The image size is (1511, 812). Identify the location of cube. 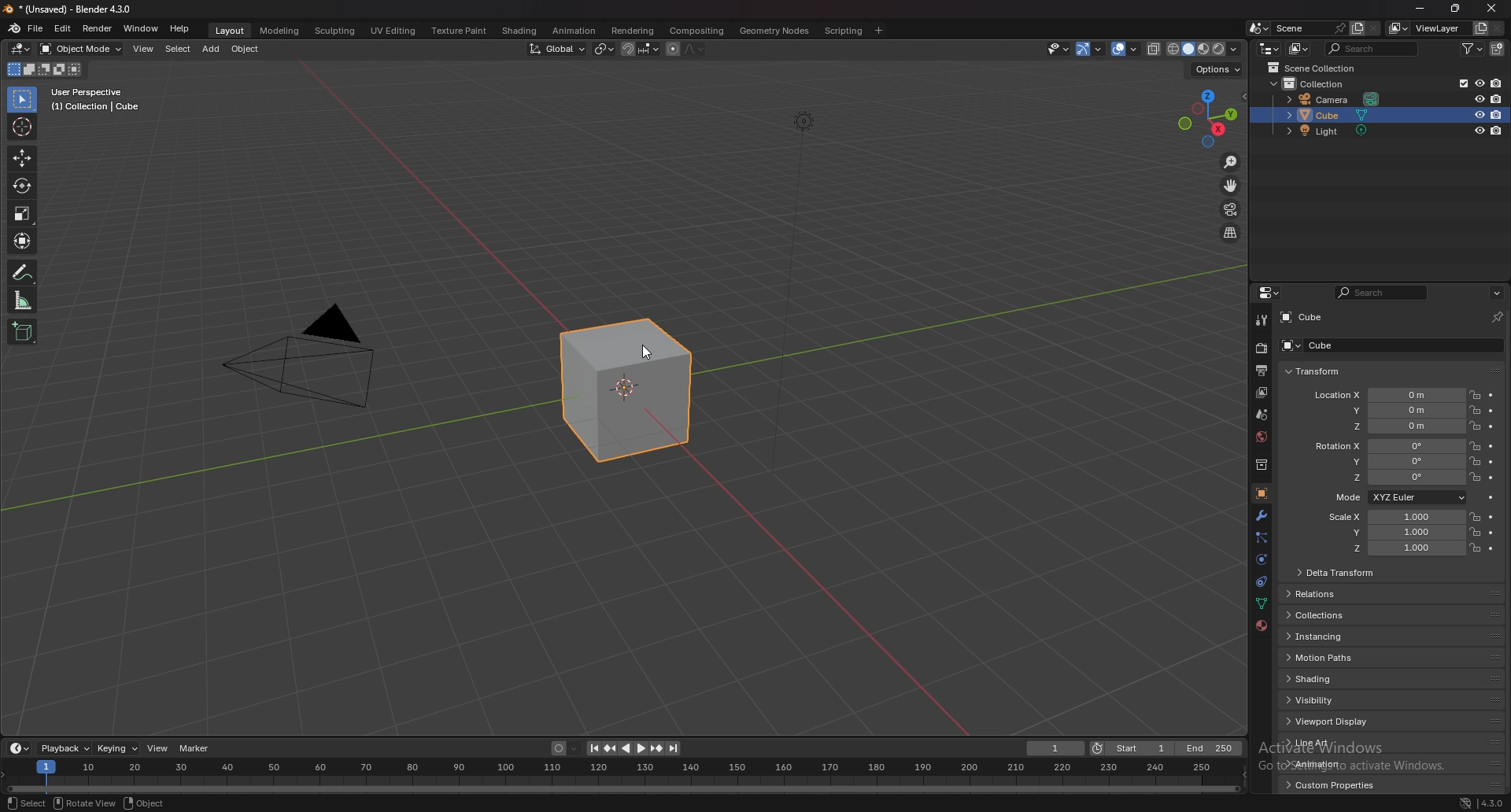
(1312, 345).